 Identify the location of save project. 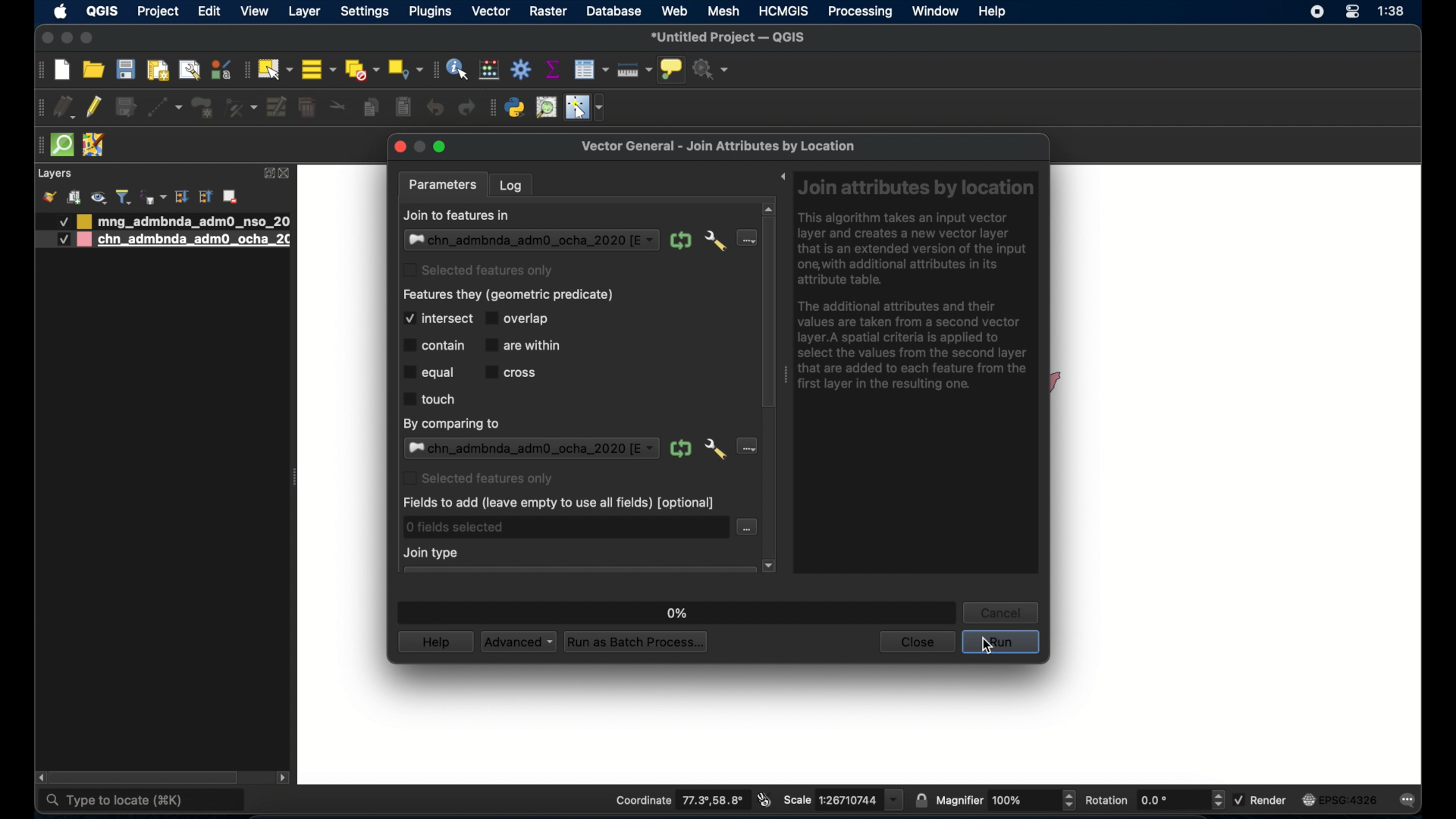
(127, 69).